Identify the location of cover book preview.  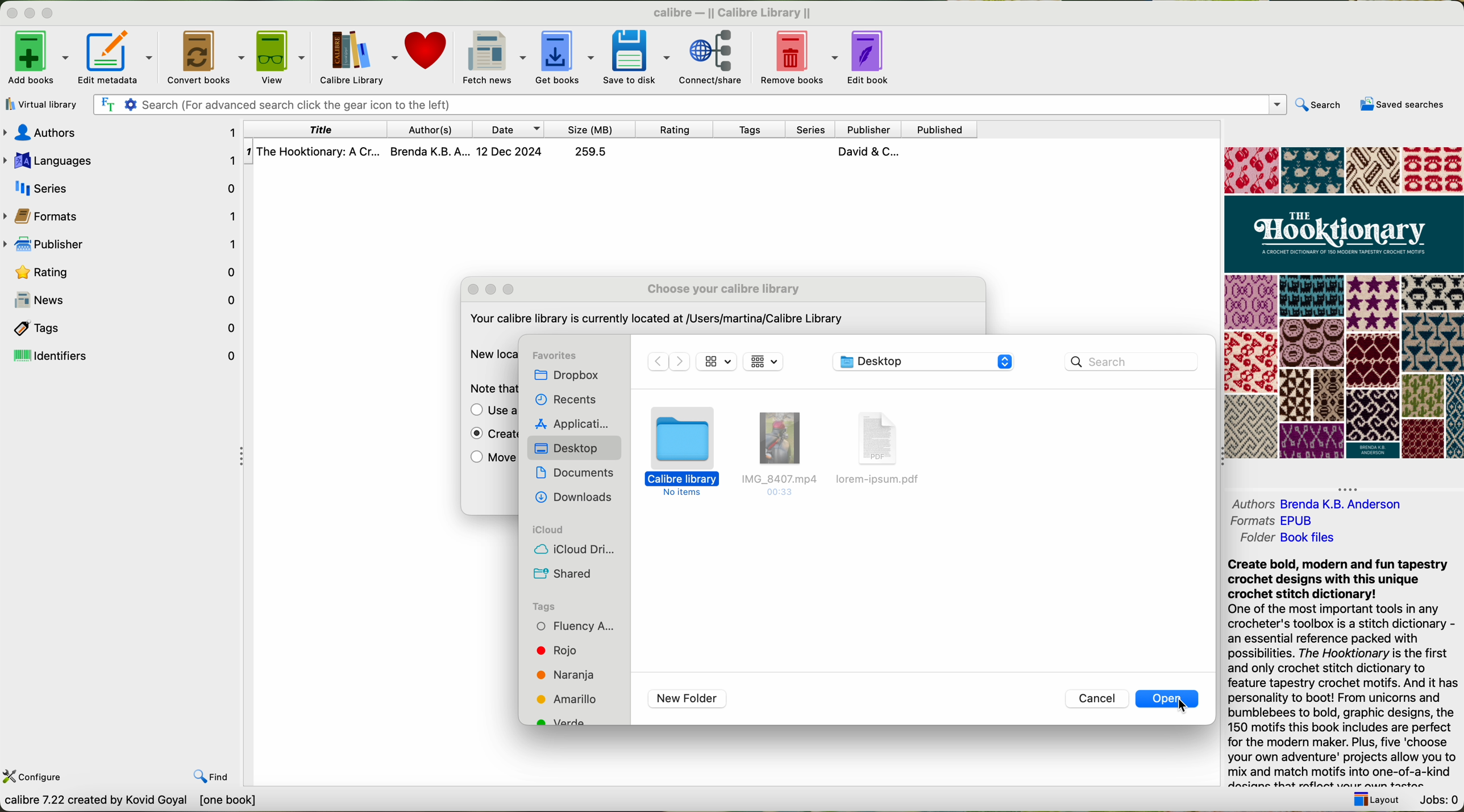
(1341, 303).